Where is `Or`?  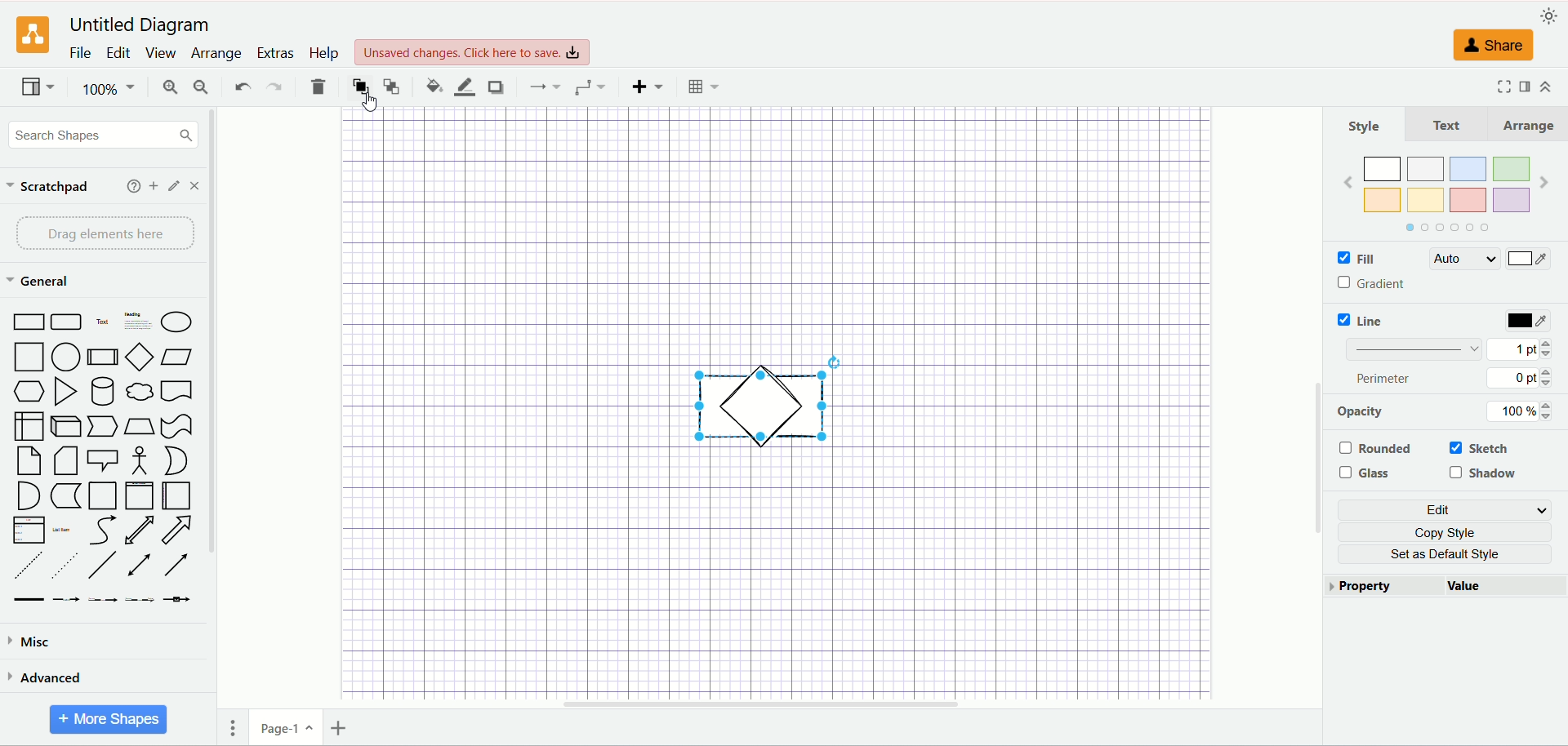
Or is located at coordinates (180, 461).